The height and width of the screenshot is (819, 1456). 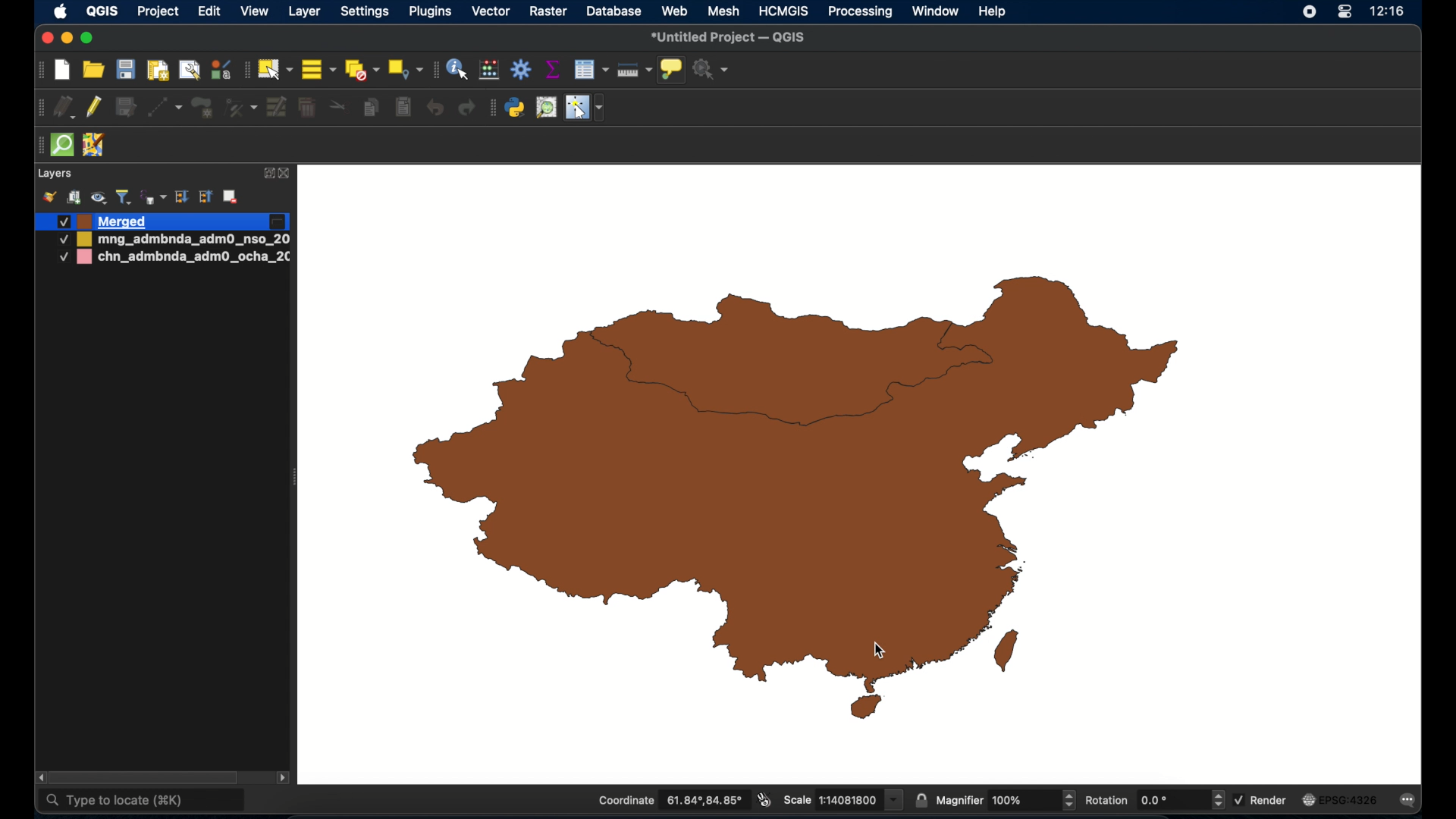 I want to click on raster, so click(x=548, y=12).